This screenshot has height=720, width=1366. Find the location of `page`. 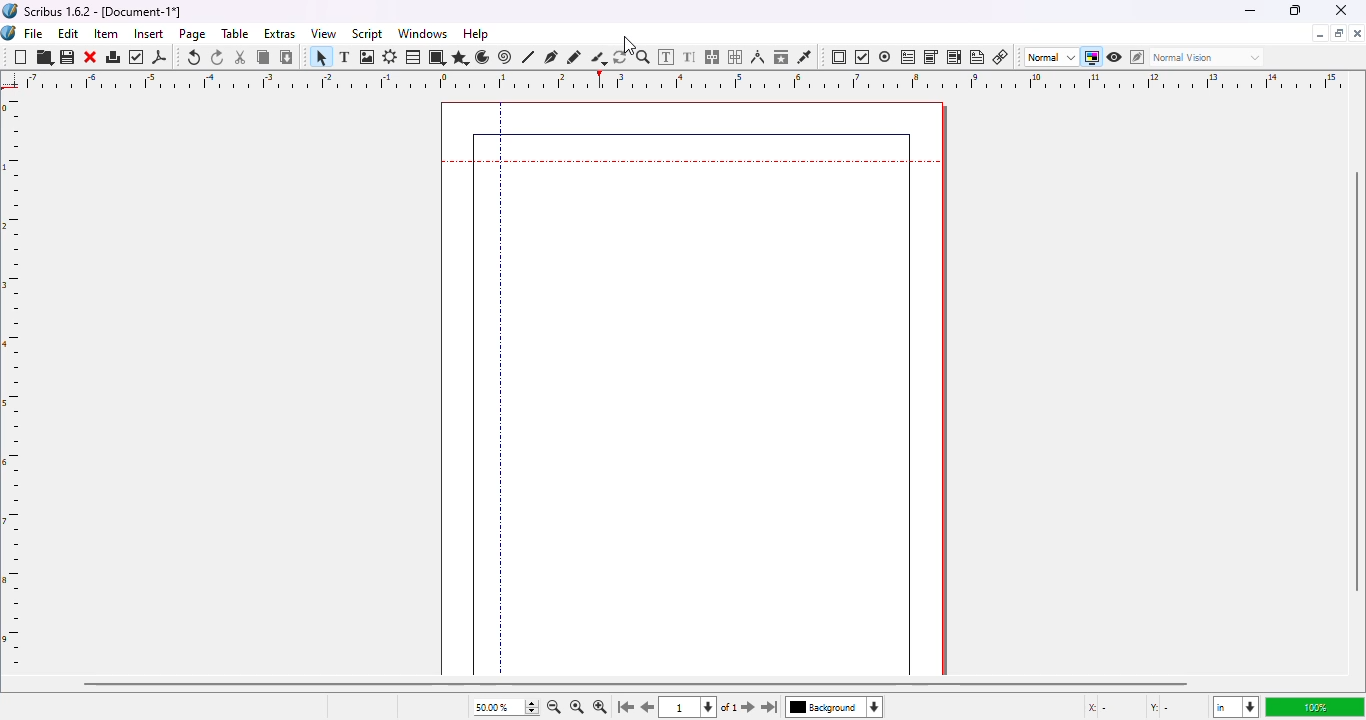

page is located at coordinates (194, 34).